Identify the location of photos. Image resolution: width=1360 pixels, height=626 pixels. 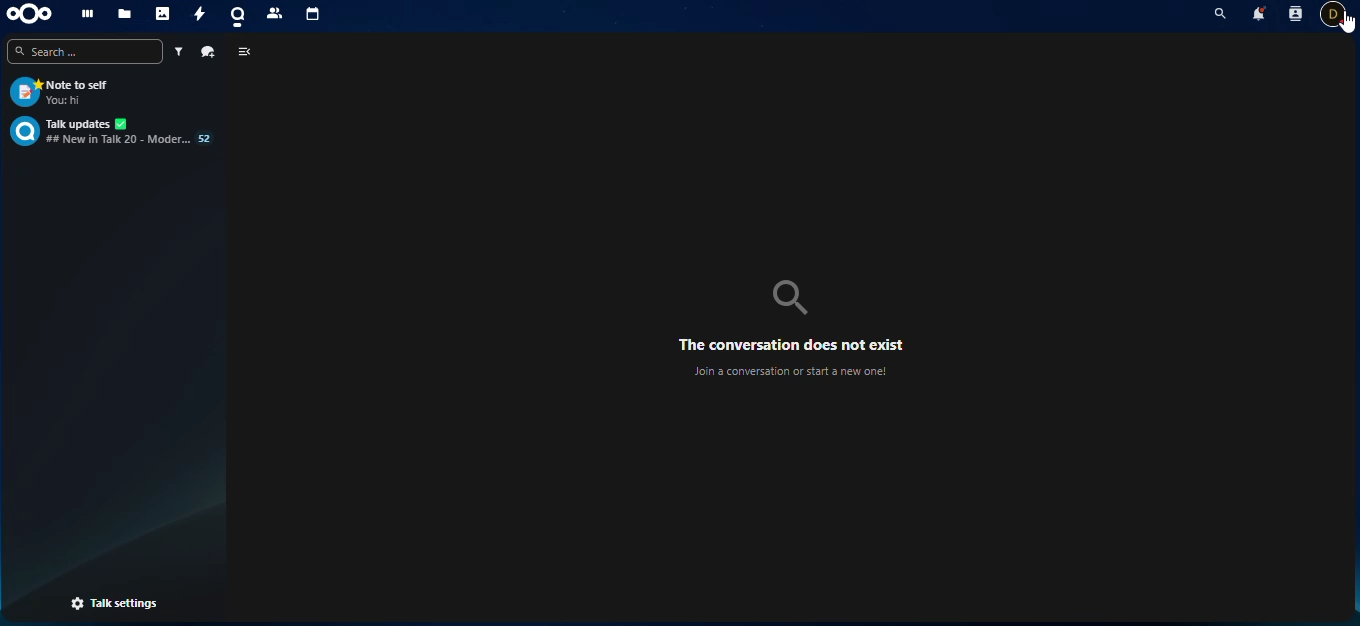
(162, 14).